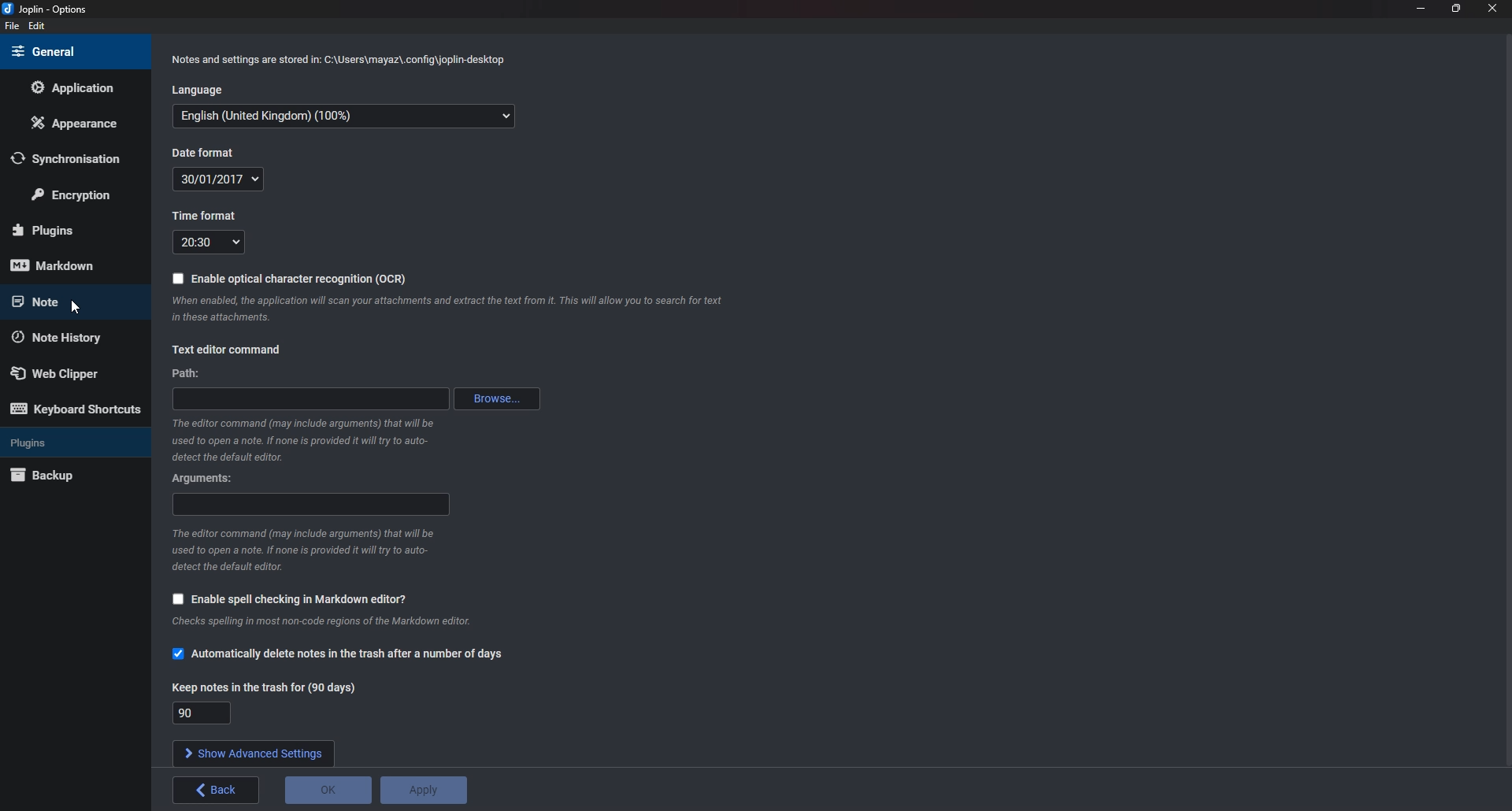 Image resolution: width=1512 pixels, height=811 pixels. Describe the element at coordinates (1491, 8) in the screenshot. I see `close` at that location.